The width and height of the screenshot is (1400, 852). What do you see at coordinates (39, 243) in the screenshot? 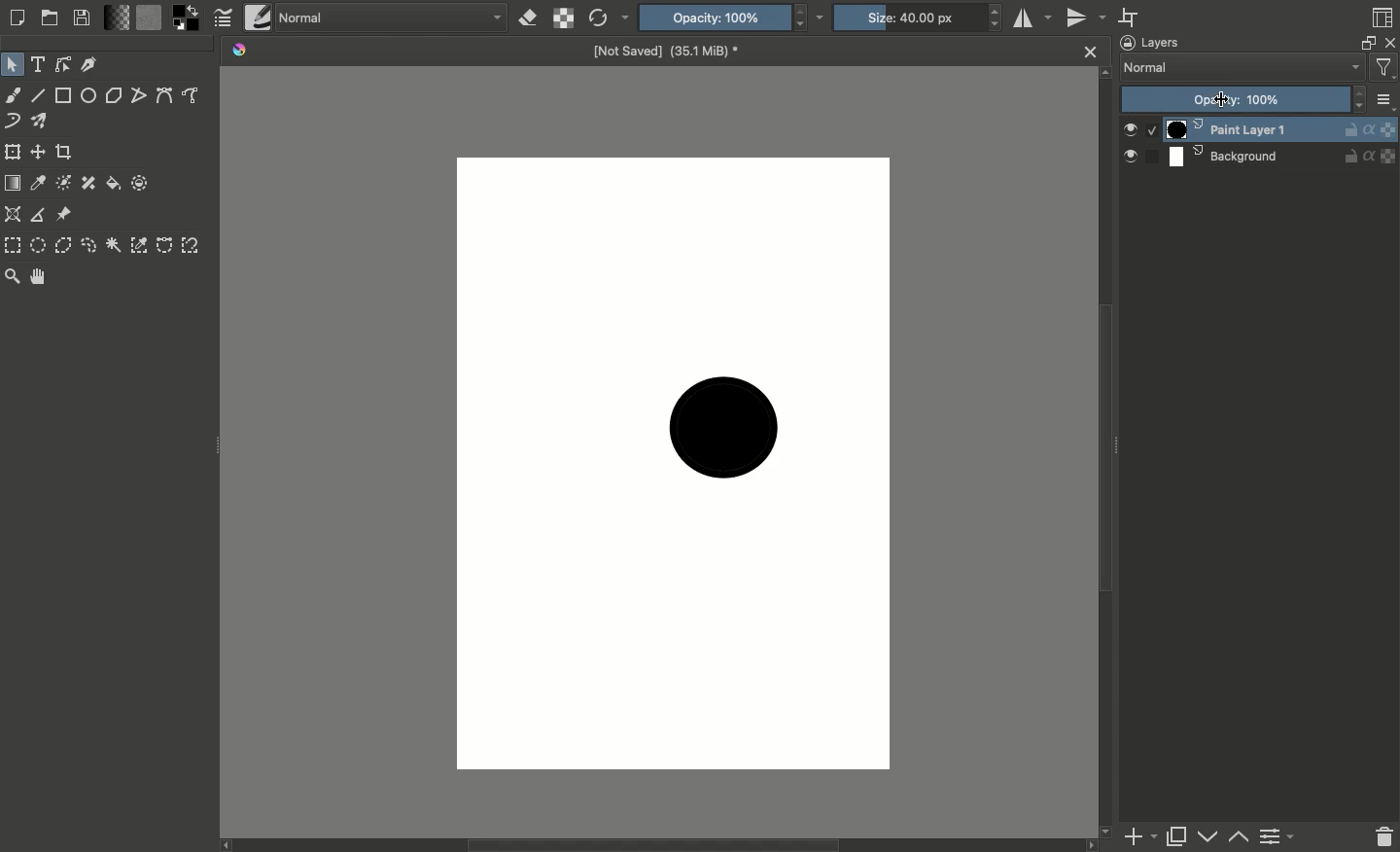
I see `Elliptical selection tool` at bounding box center [39, 243].